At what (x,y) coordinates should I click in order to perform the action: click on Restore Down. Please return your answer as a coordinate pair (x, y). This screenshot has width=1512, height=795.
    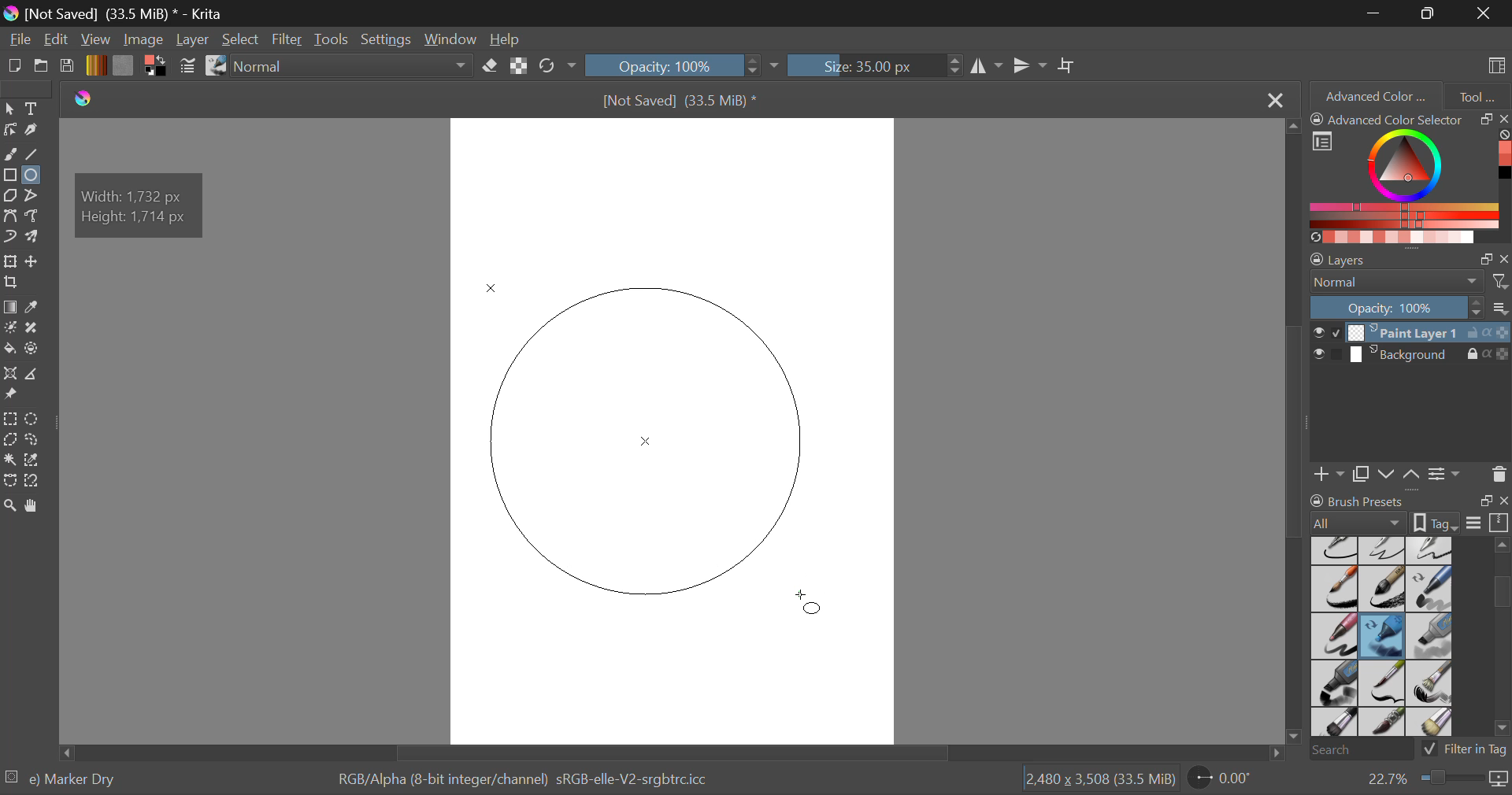
    Looking at the image, I should click on (1377, 13).